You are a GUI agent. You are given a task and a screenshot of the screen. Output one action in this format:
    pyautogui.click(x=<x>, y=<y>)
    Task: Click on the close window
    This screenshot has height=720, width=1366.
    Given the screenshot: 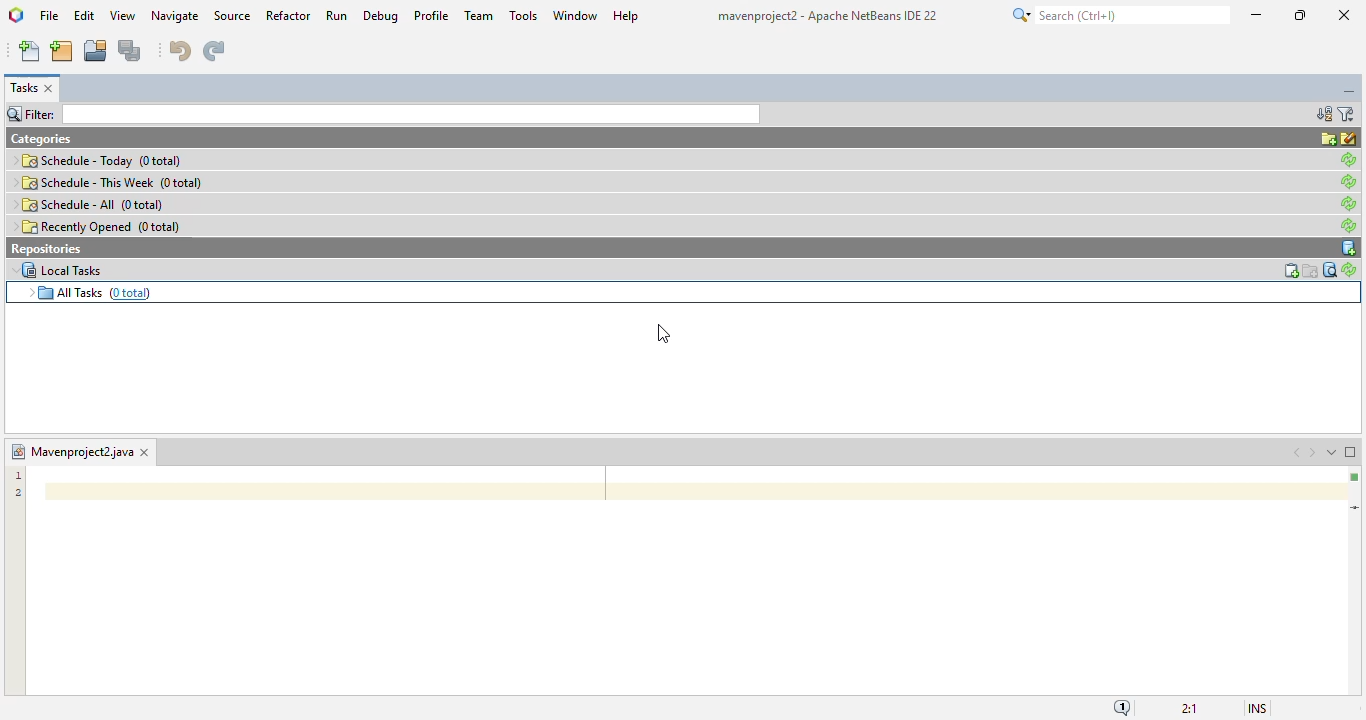 What is the action you would take?
    pyautogui.click(x=50, y=89)
    